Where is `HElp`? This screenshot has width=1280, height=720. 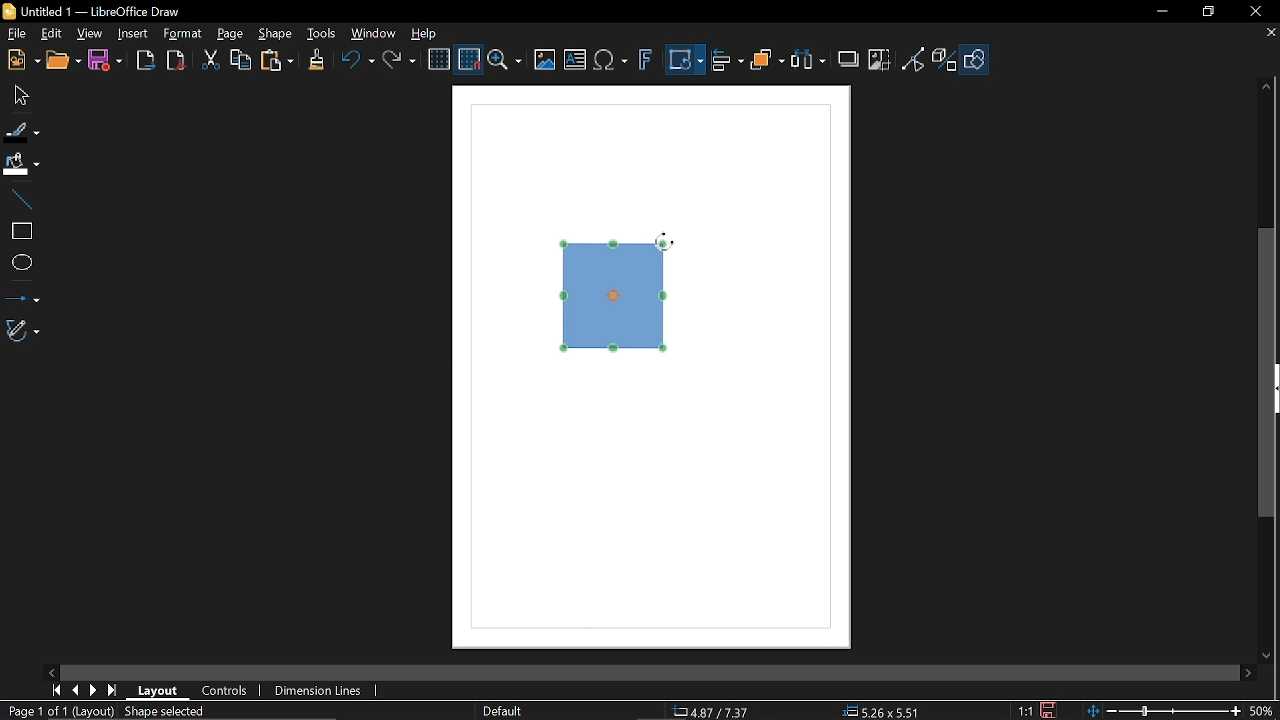
HElp is located at coordinates (422, 31).